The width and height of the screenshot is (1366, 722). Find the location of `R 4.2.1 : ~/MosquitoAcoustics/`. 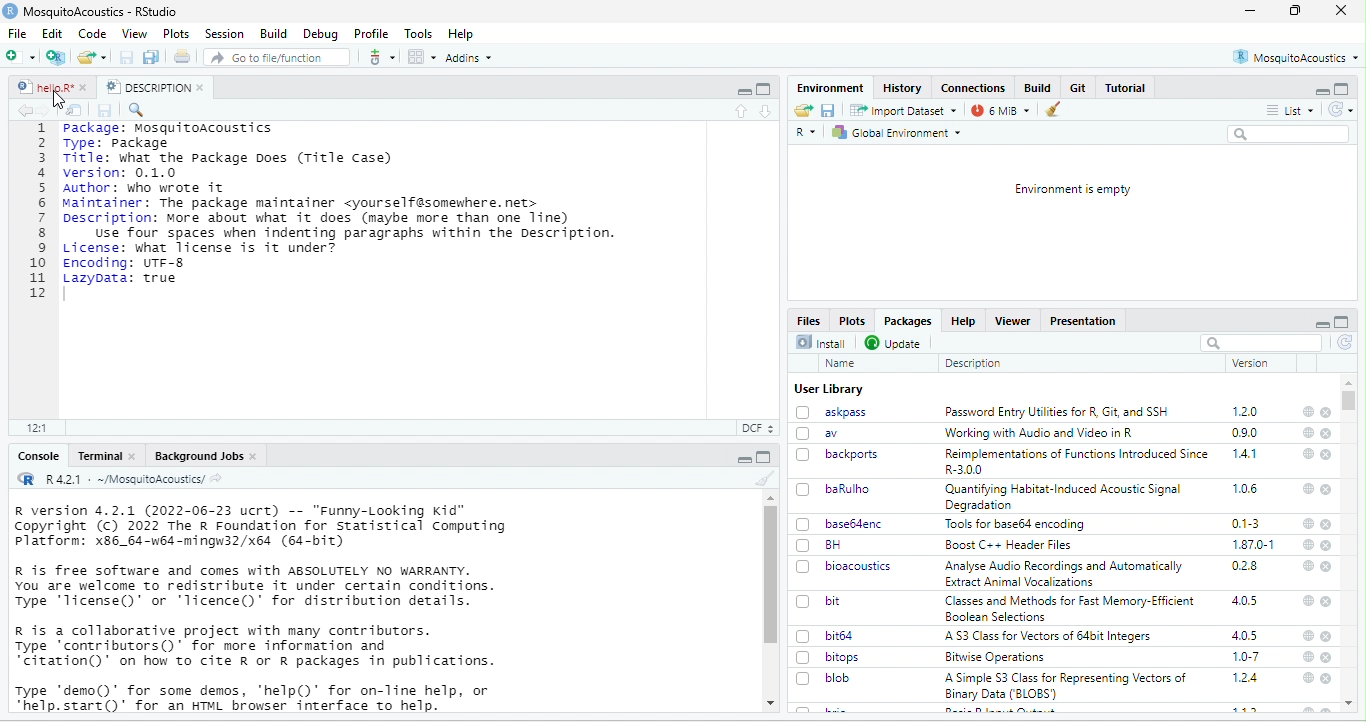

R 4.2.1 : ~/MosquitoAcoustics/ is located at coordinates (120, 480).